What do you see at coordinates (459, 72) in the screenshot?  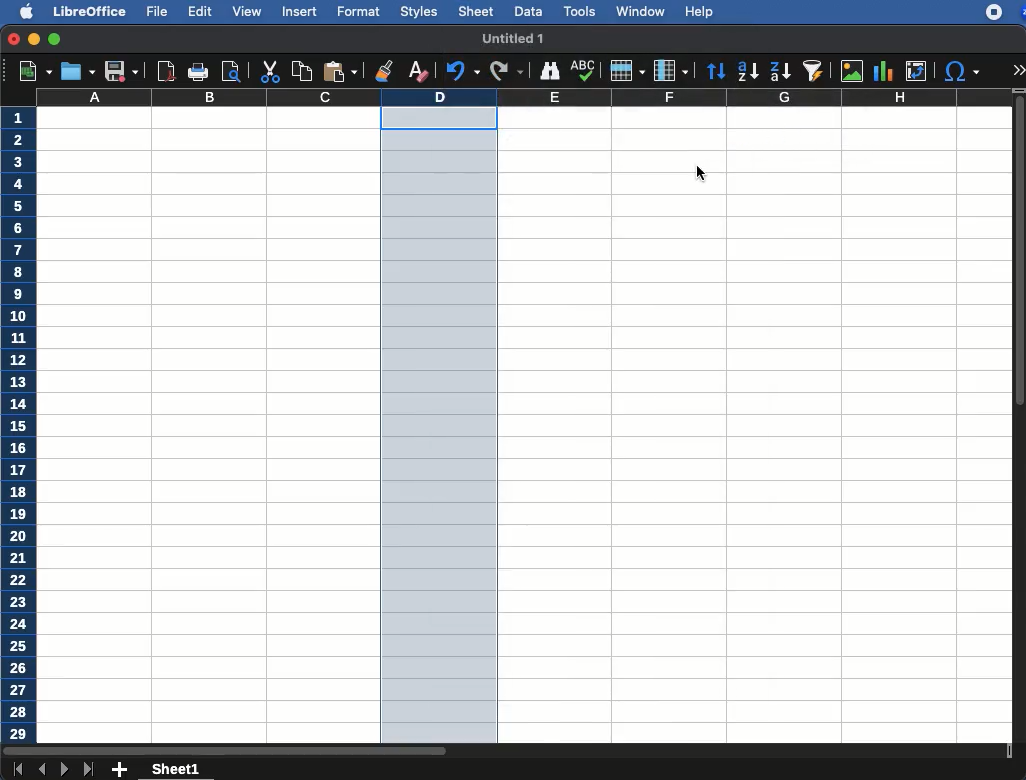 I see `undo` at bounding box center [459, 72].